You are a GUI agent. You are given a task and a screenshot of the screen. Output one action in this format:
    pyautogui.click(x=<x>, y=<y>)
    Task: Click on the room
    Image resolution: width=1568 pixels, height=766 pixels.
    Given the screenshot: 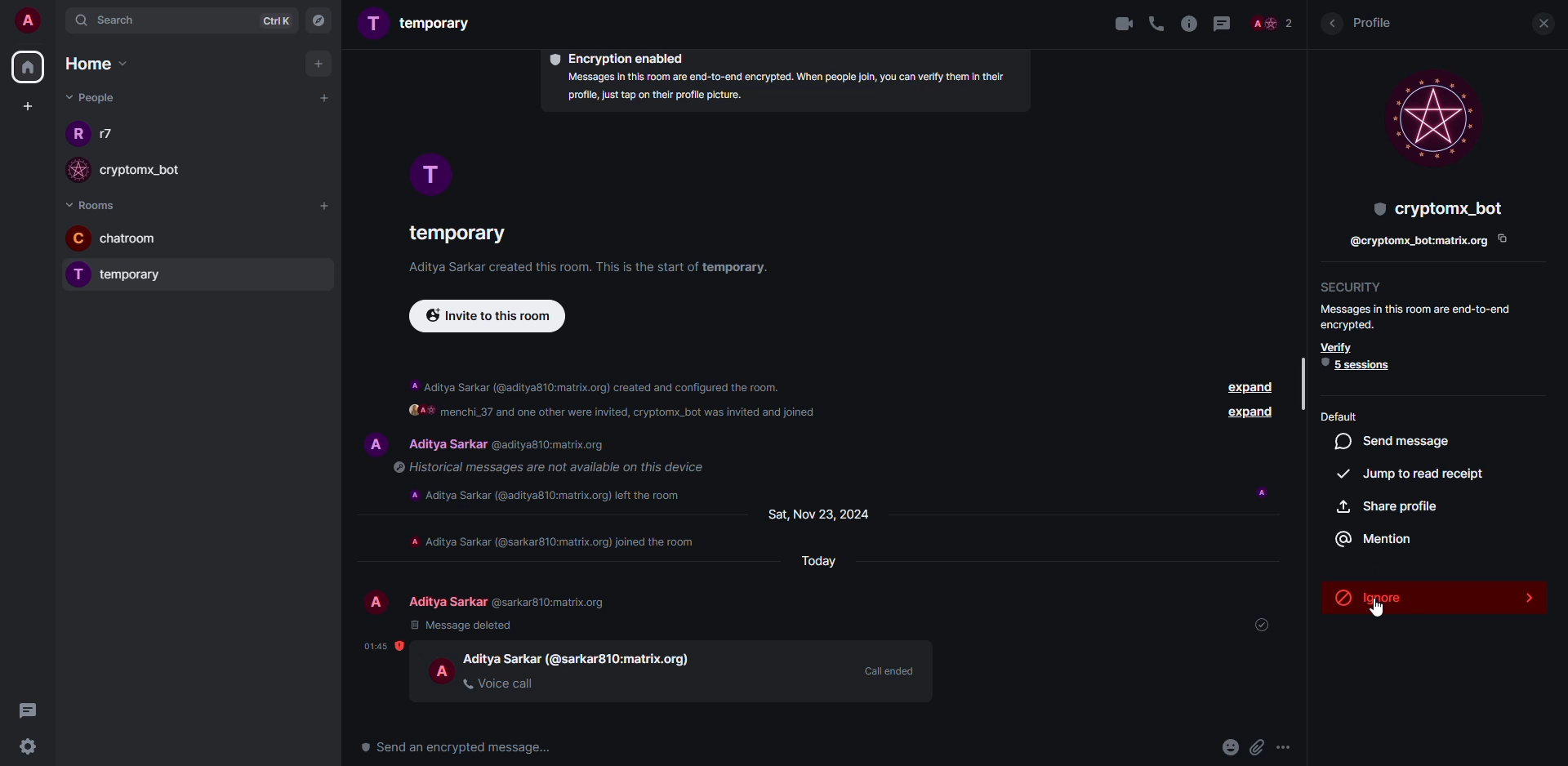 What is the action you would take?
    pyautogui.click(x=147, y=278)
    